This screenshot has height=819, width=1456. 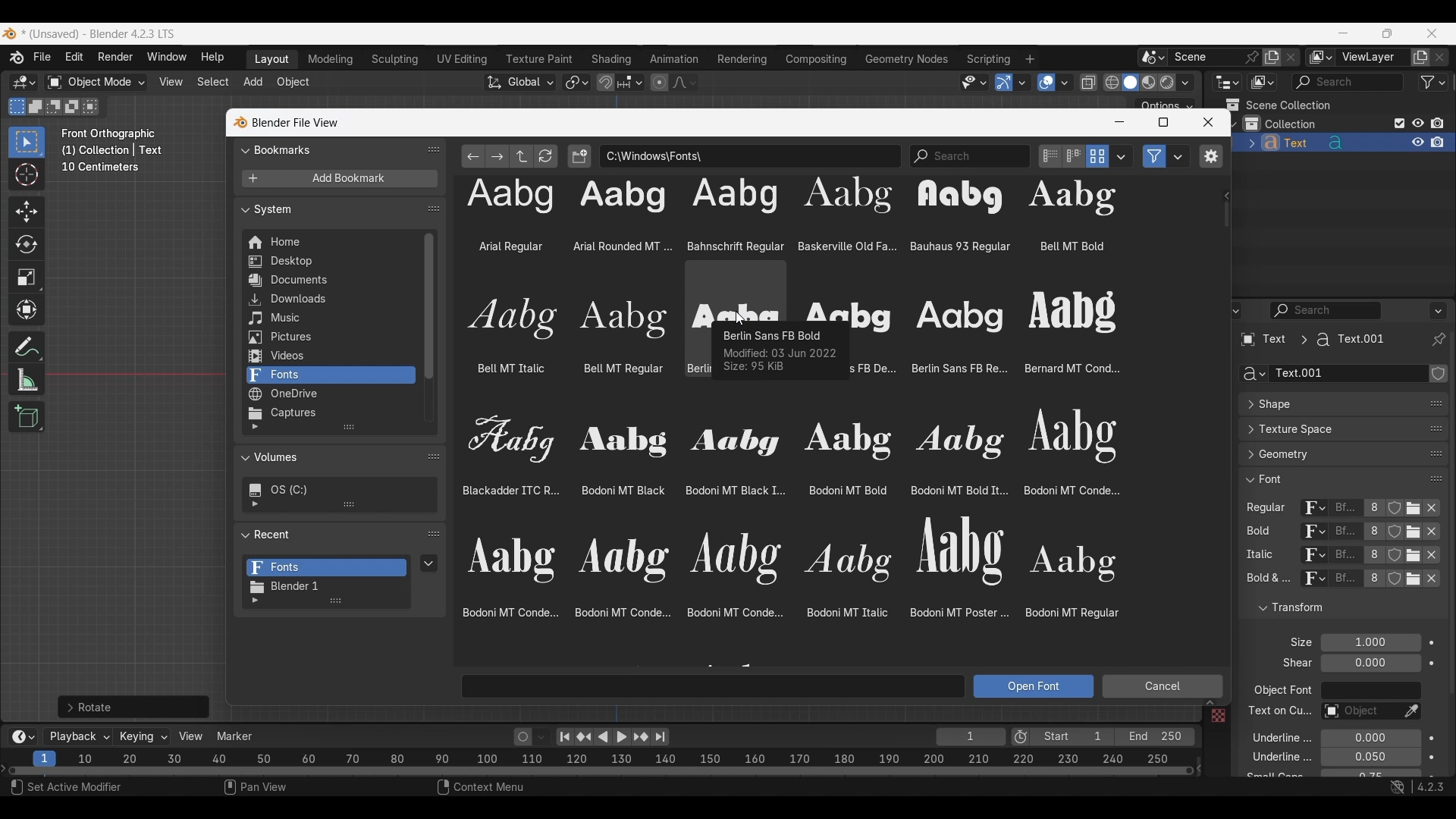 What do you see at coordinates (1437, 123) in the screenshot?
I see `Disable in renders` at bounding box center [1437, 123].